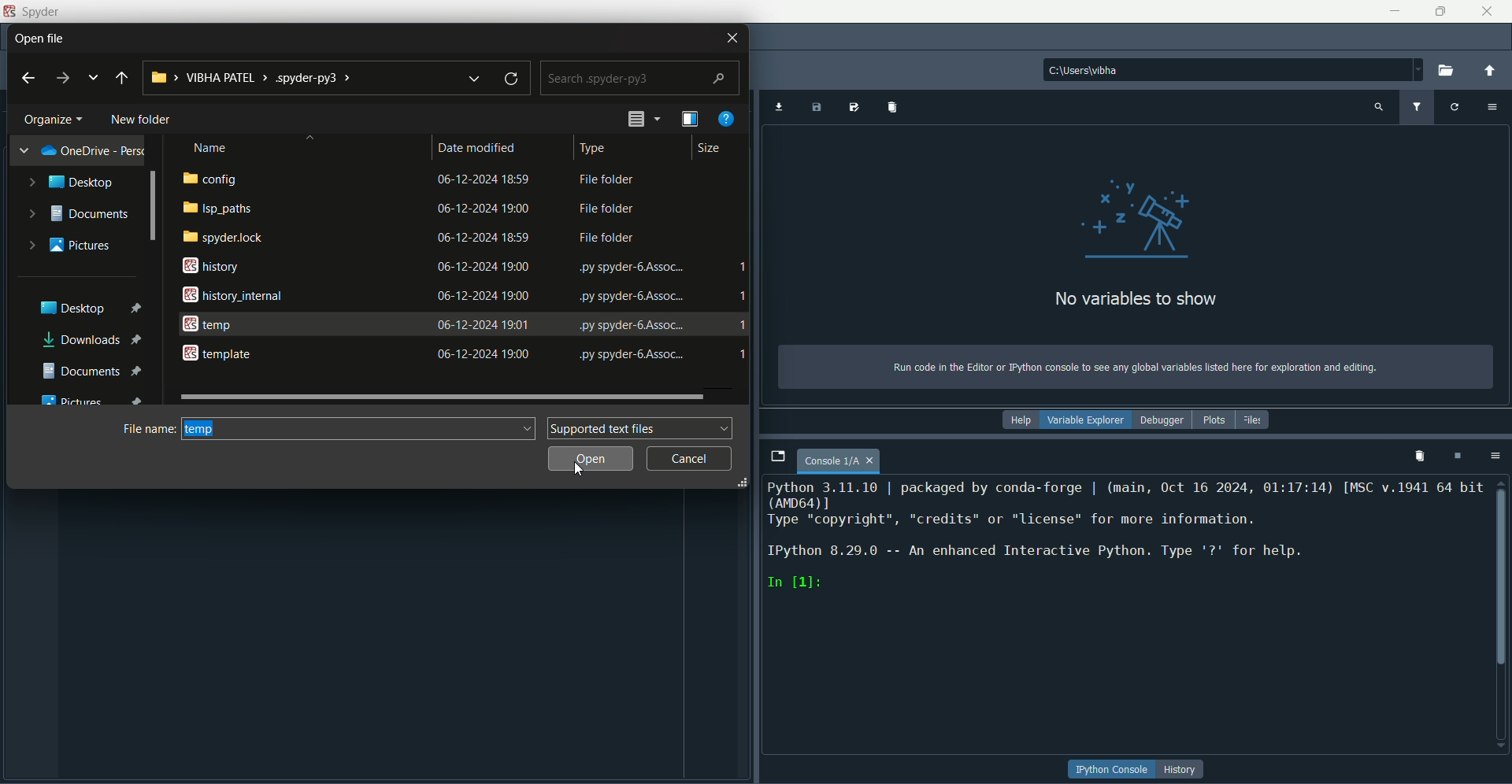 This screenshot has width=1512, height=784. Describe the element at coordinates (743, 357) in the screenshot. I see `1` at that location.